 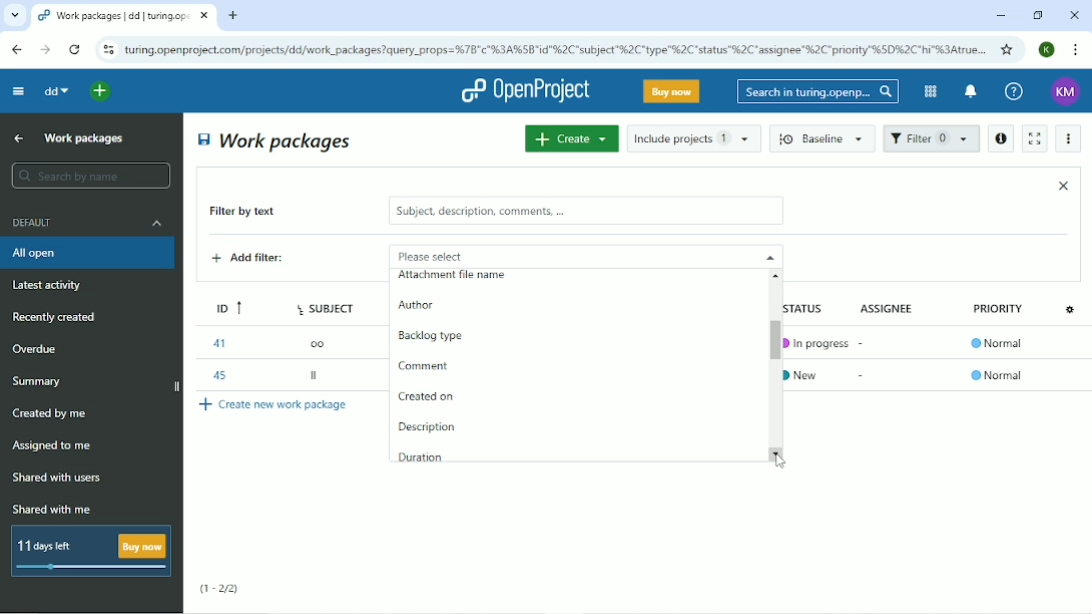 I want to click on Normal, so click(x=997, y=375).